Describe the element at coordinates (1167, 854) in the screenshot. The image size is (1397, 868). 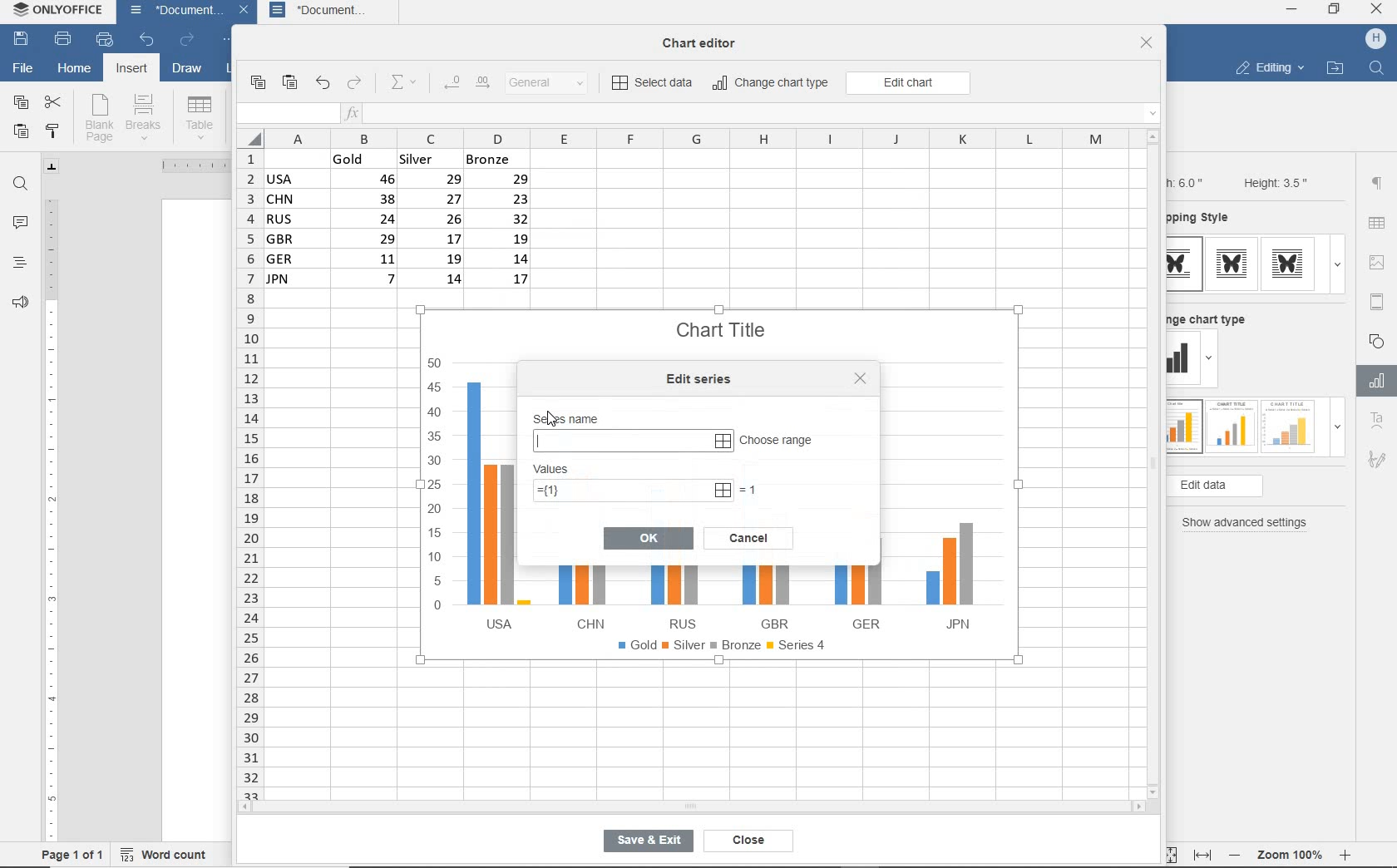
I see `fit to page` at that location.